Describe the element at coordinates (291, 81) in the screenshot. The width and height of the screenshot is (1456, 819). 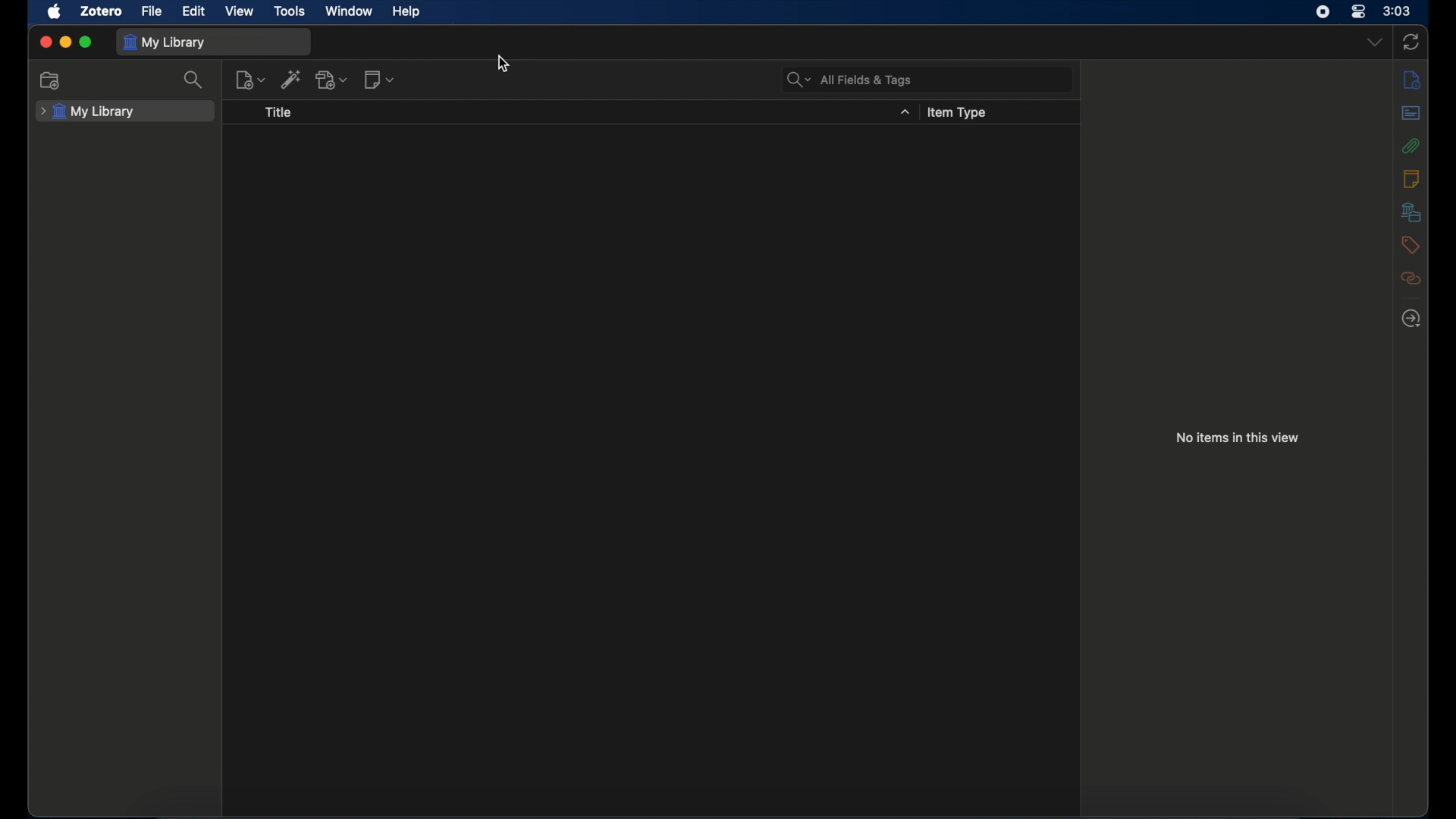
I see `add item by identifier` at that location.